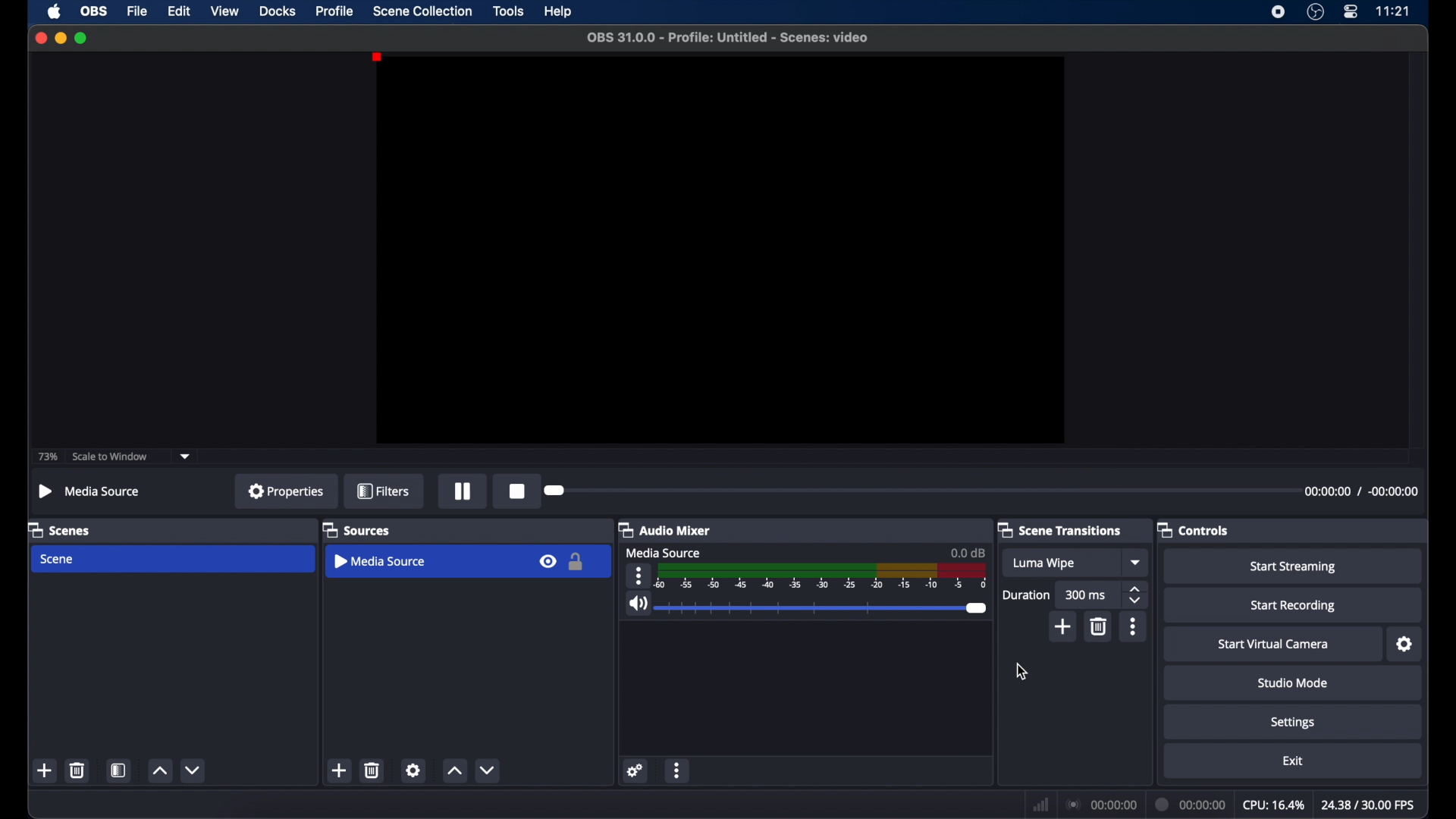 The image size is (1456, 819). I want to click on scene collection, so click(422, 11).